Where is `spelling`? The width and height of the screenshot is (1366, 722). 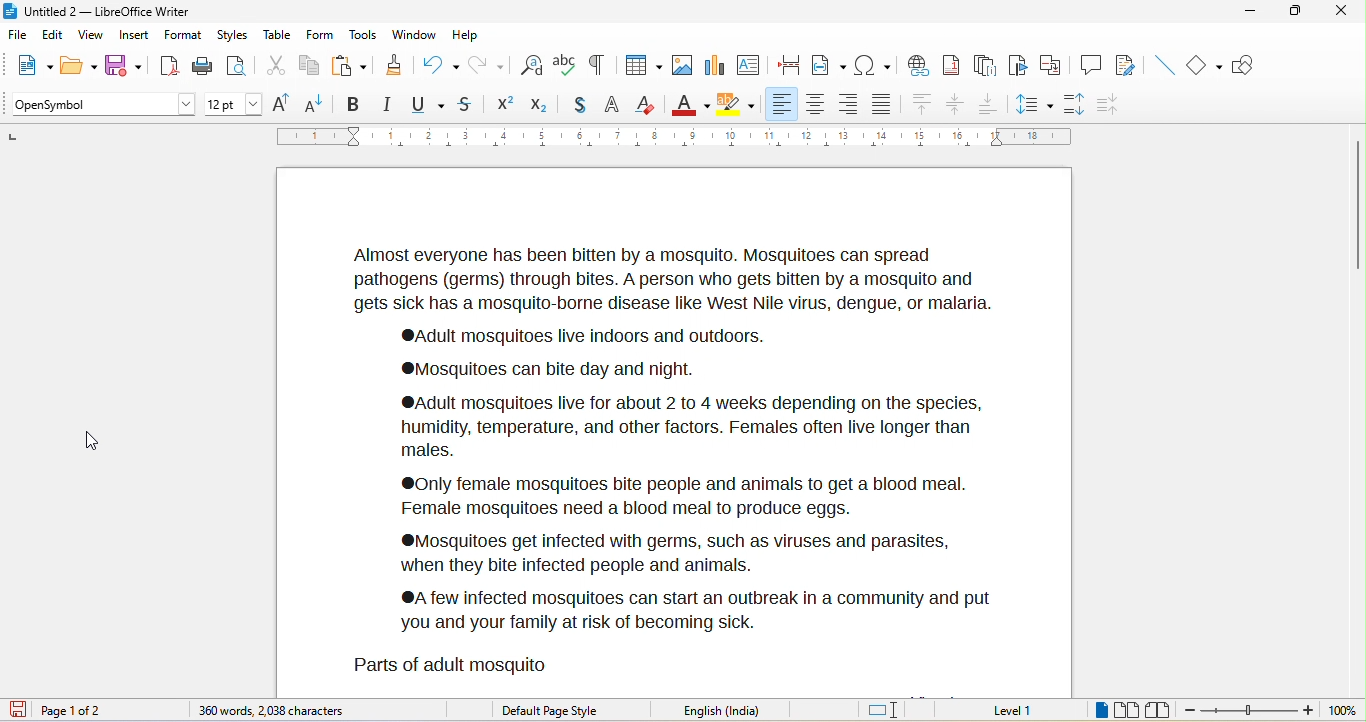
spelling is located at coordinates (567, 66).